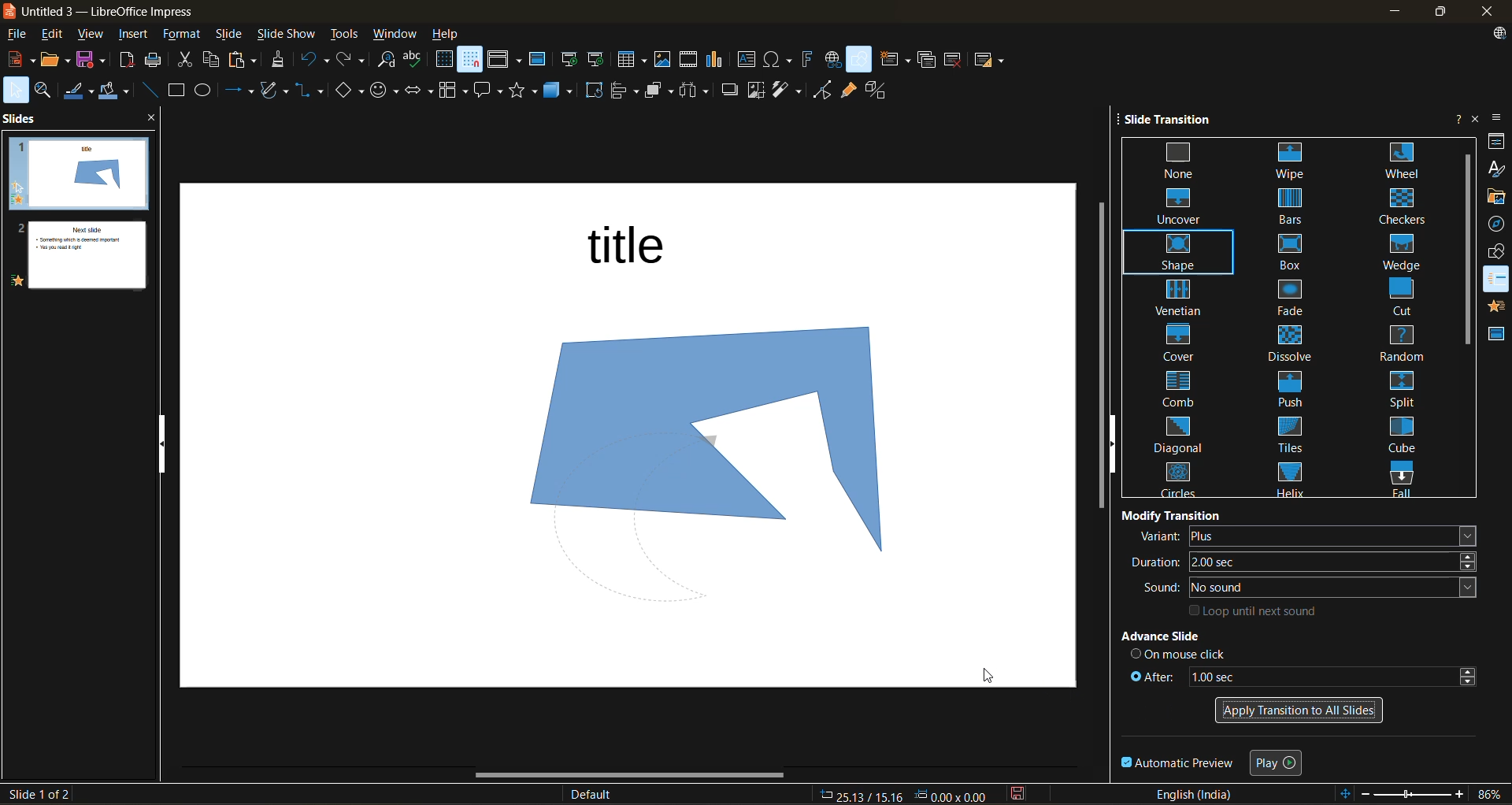  I want to click on lines and arrows, so click(239, 92).